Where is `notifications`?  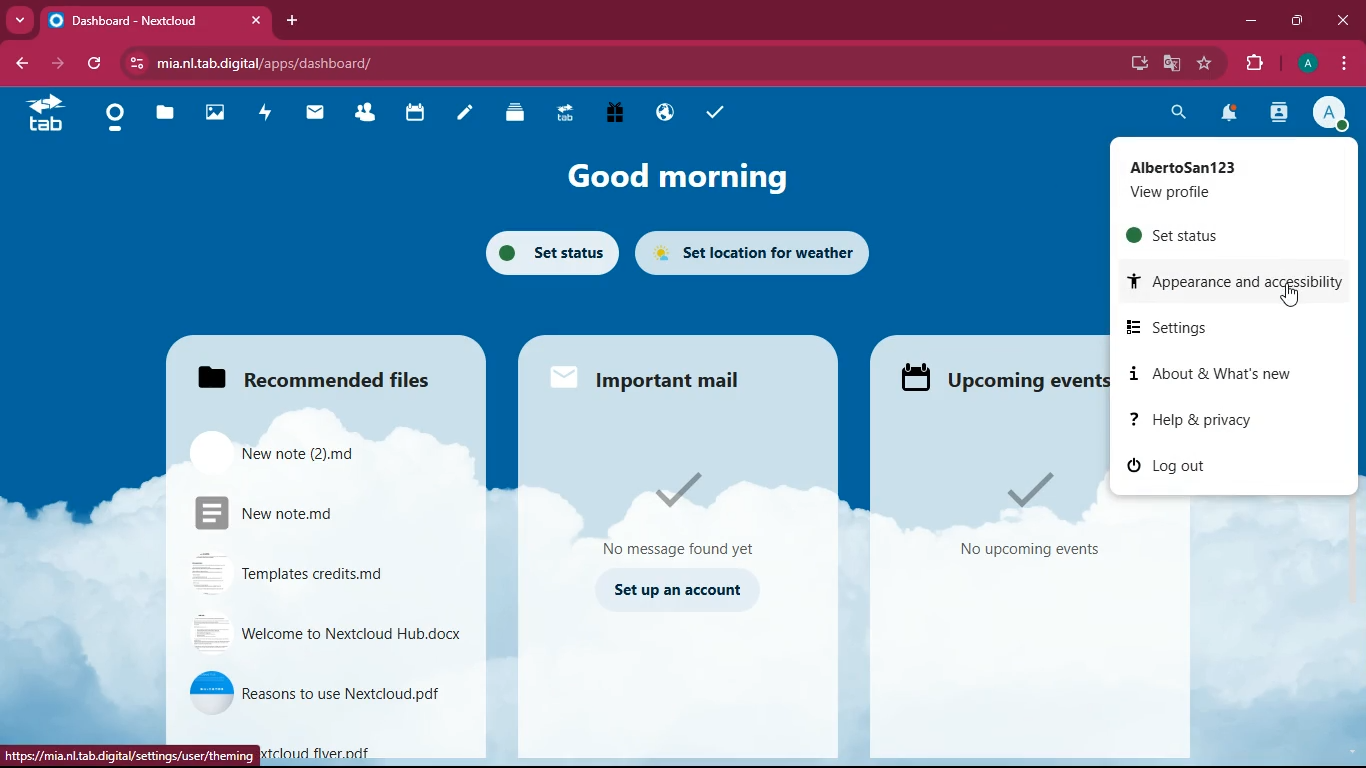
notifications is located at coordinates (1232, 114).